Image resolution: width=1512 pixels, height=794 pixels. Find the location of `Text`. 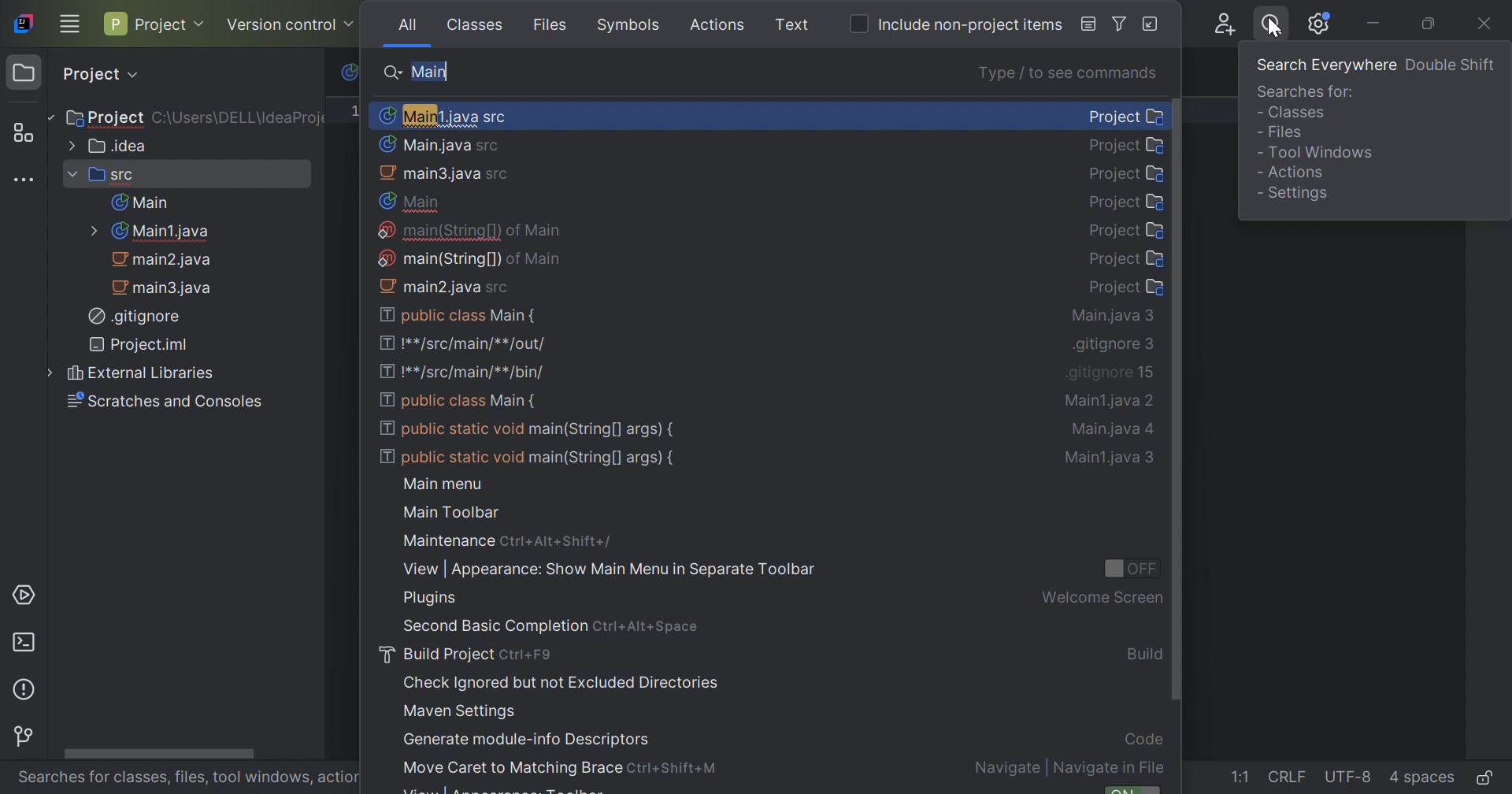

Text is located at coordinates (794, 25).